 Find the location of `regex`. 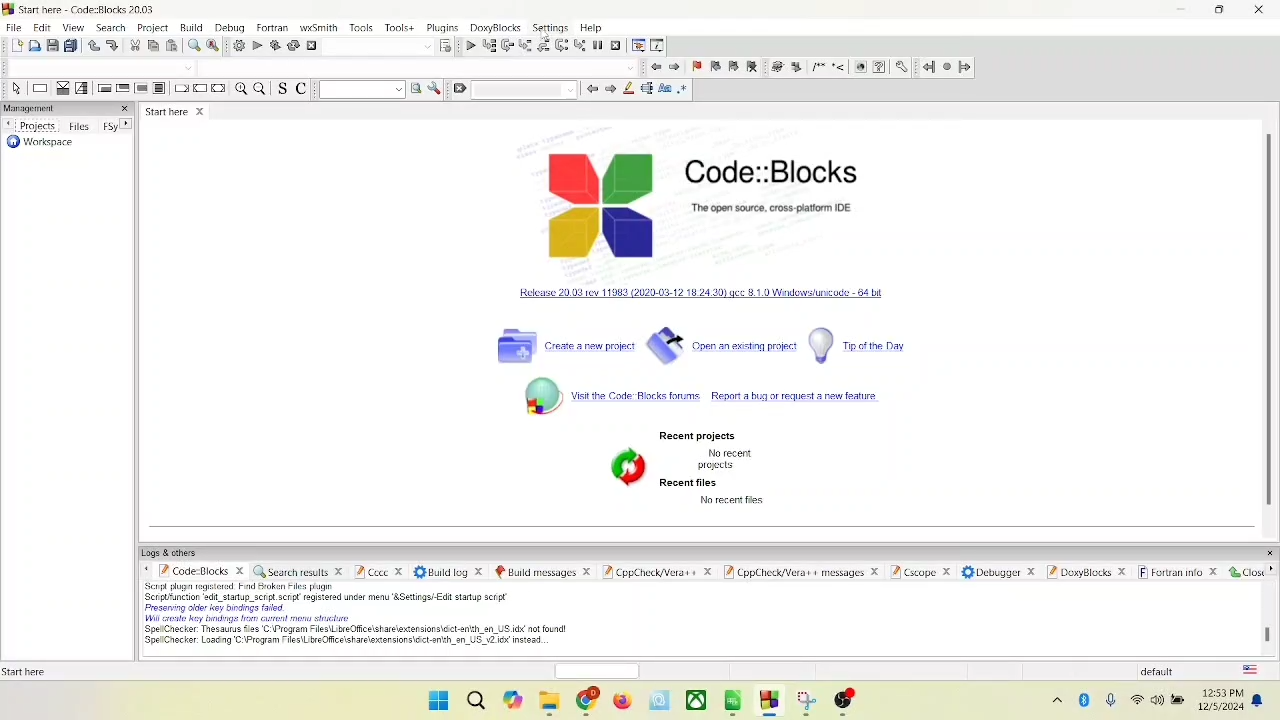

regex is located at coordinates (687, 89).